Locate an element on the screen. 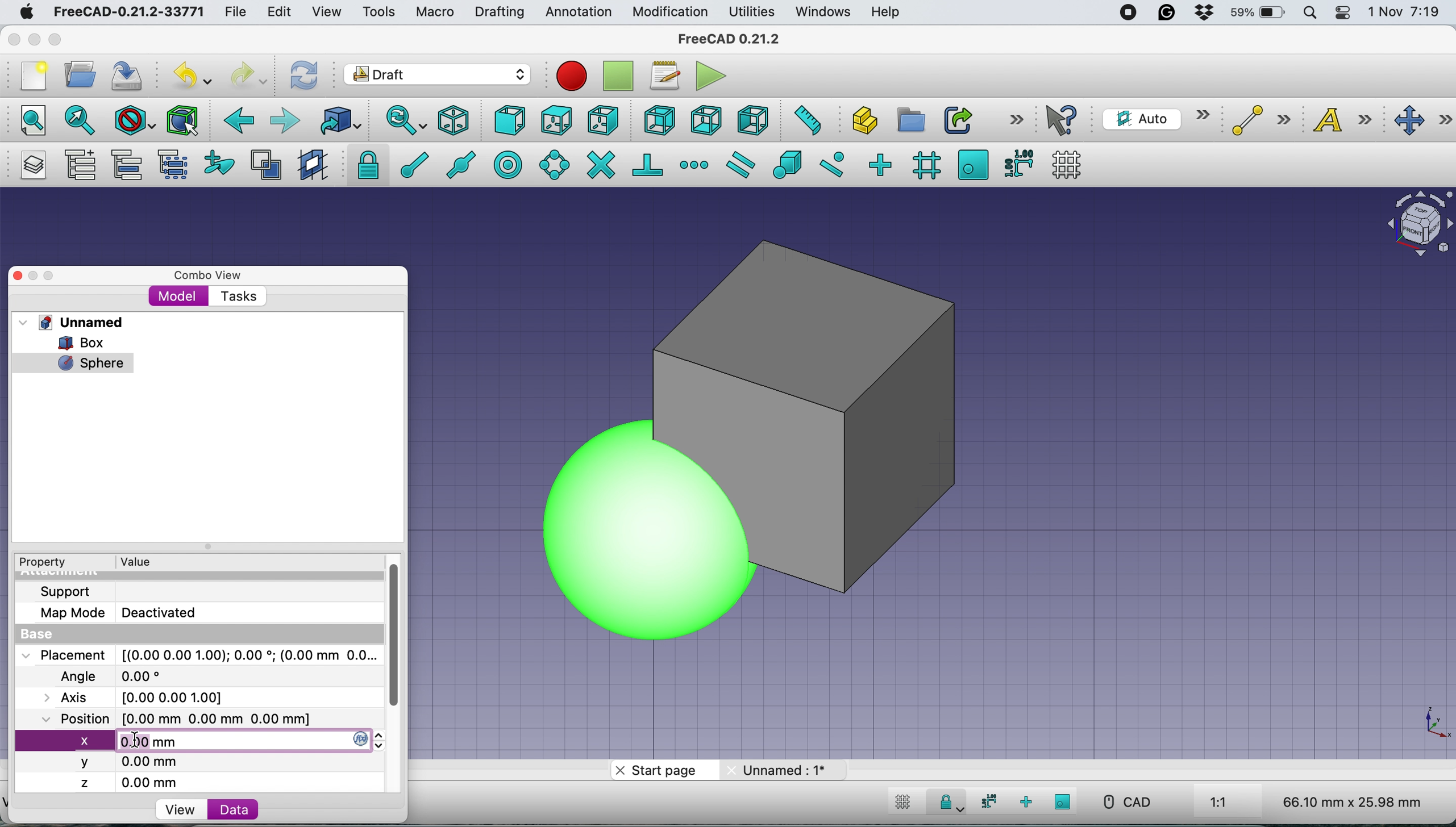  macro is located at coordinates (434, 12).